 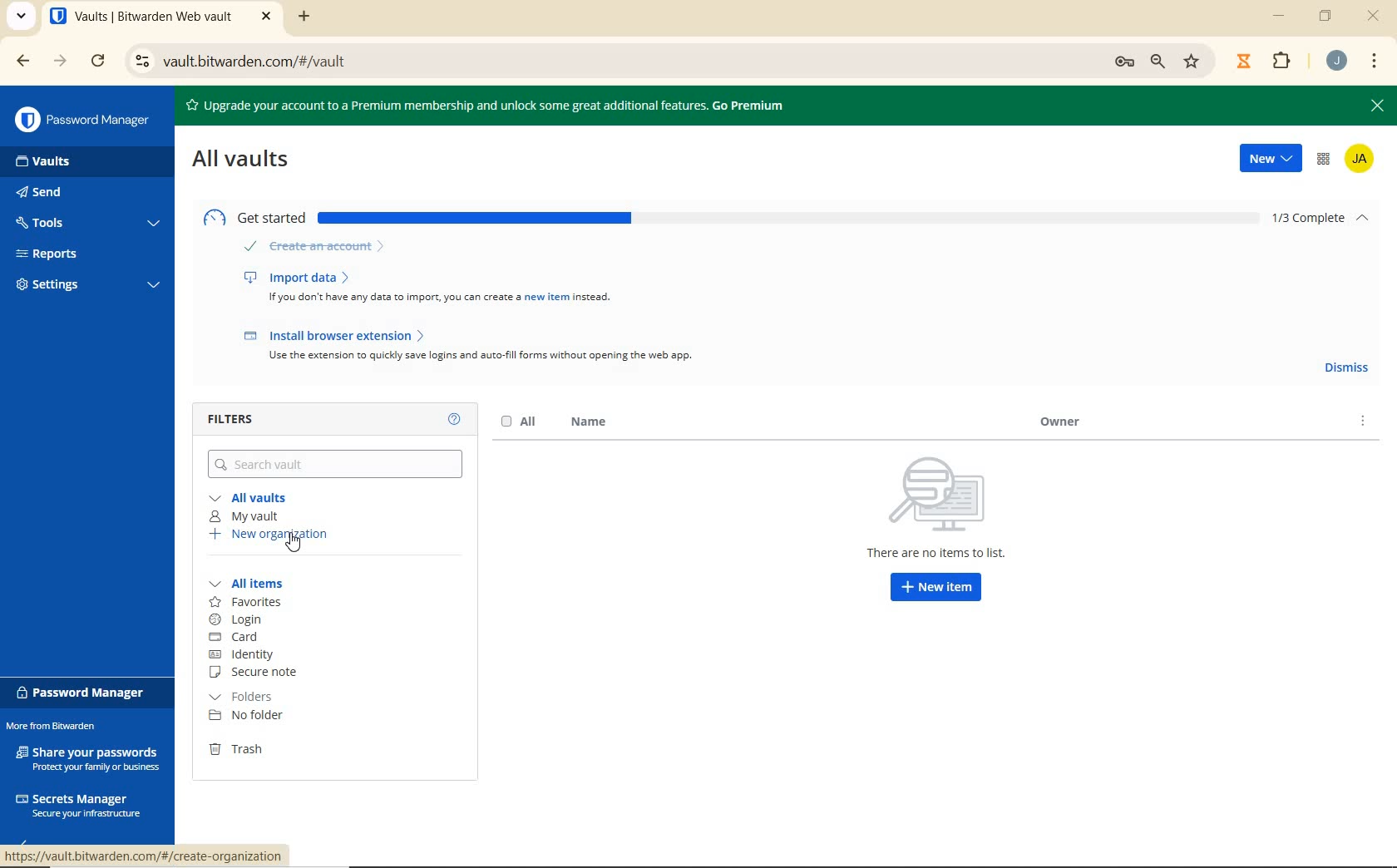 I want to click on bookmark this tab, so click(x=1194, y=60).